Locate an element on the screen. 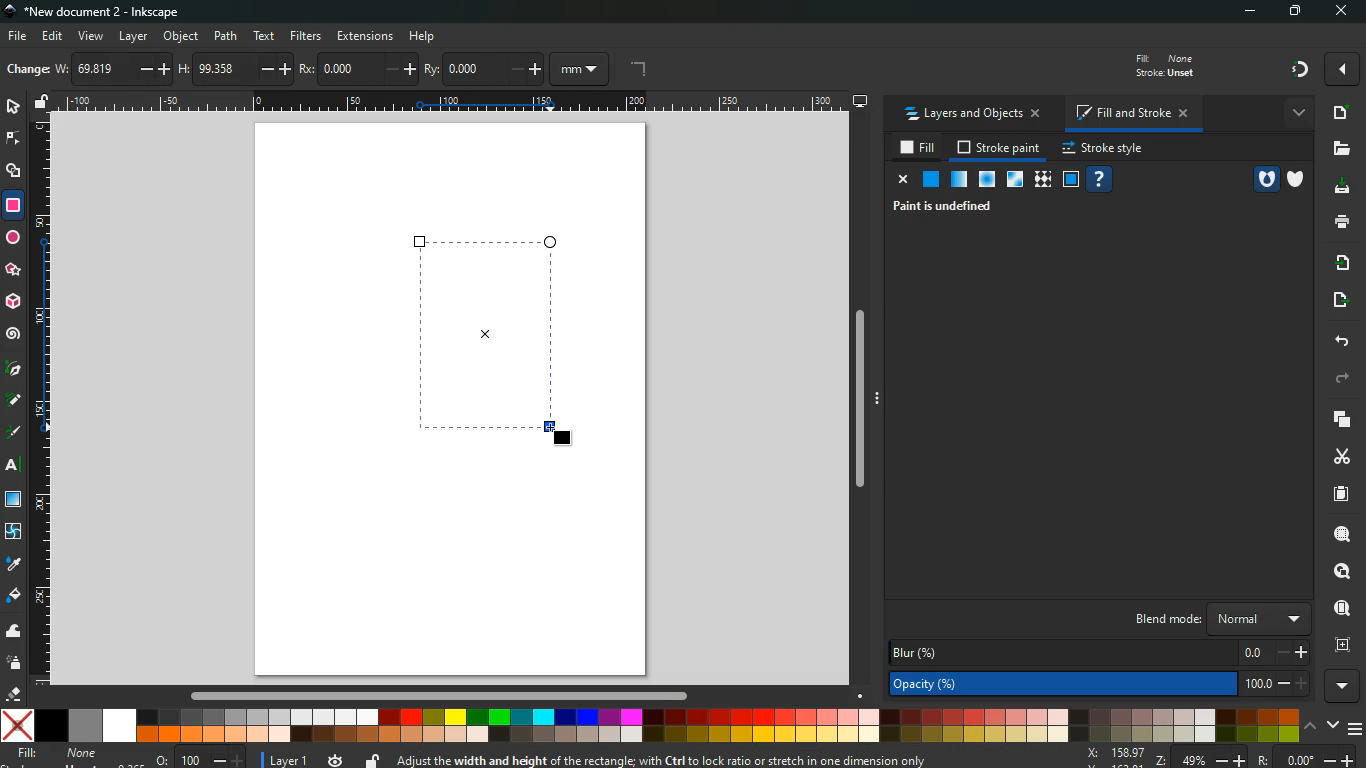  pic is located at coordinates (15, 370).